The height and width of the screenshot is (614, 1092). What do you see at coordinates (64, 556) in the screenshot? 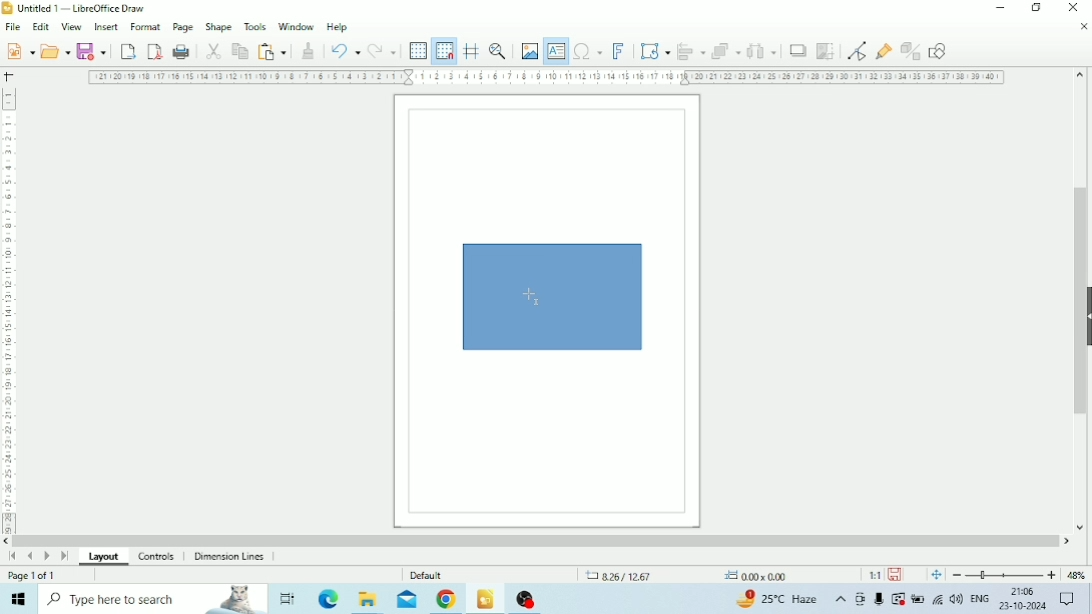
I see `Scroll to last page` at bounding box center [64, 556].